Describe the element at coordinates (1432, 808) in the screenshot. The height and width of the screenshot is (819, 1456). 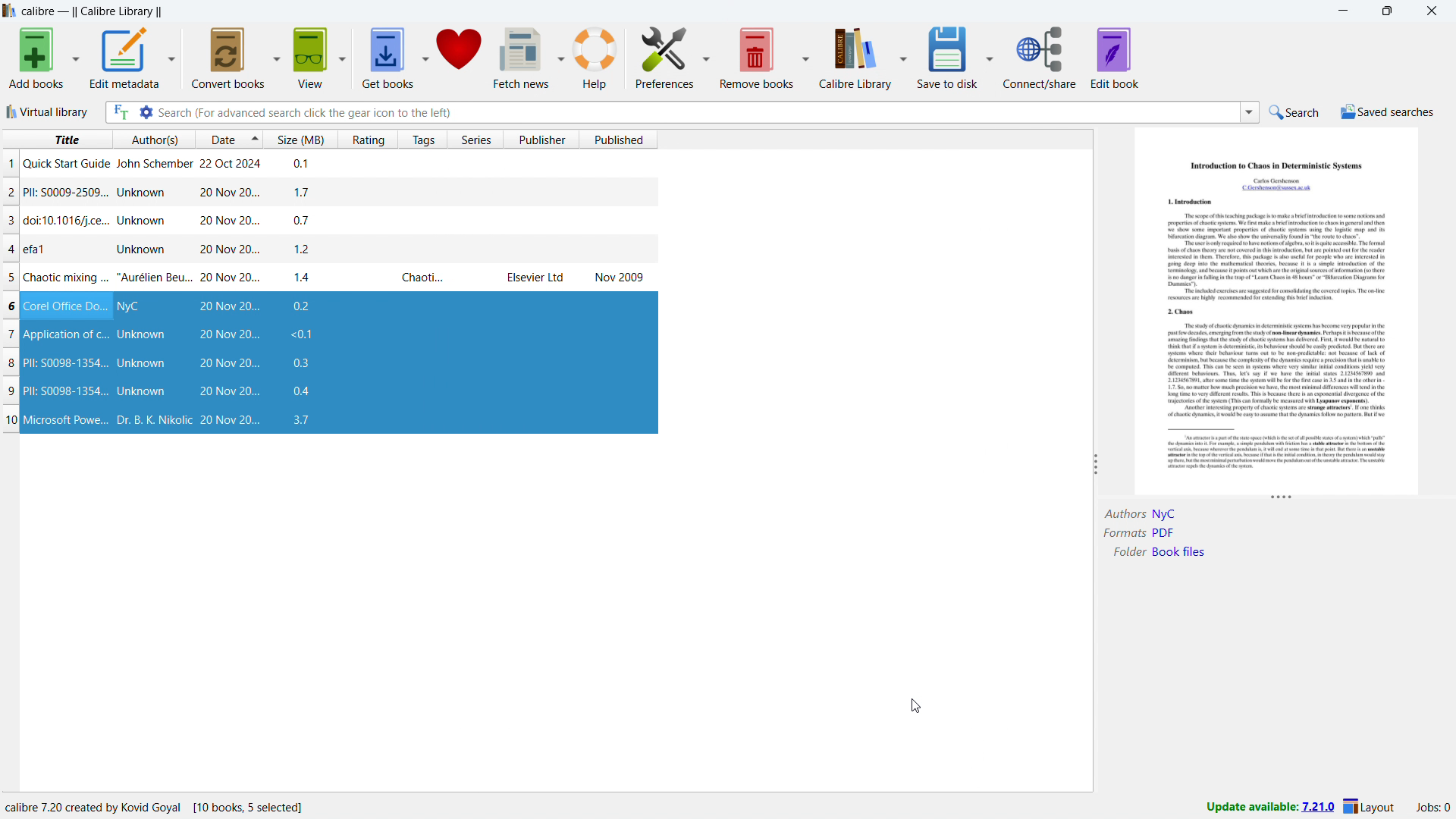
I see `active jobs` at that location.